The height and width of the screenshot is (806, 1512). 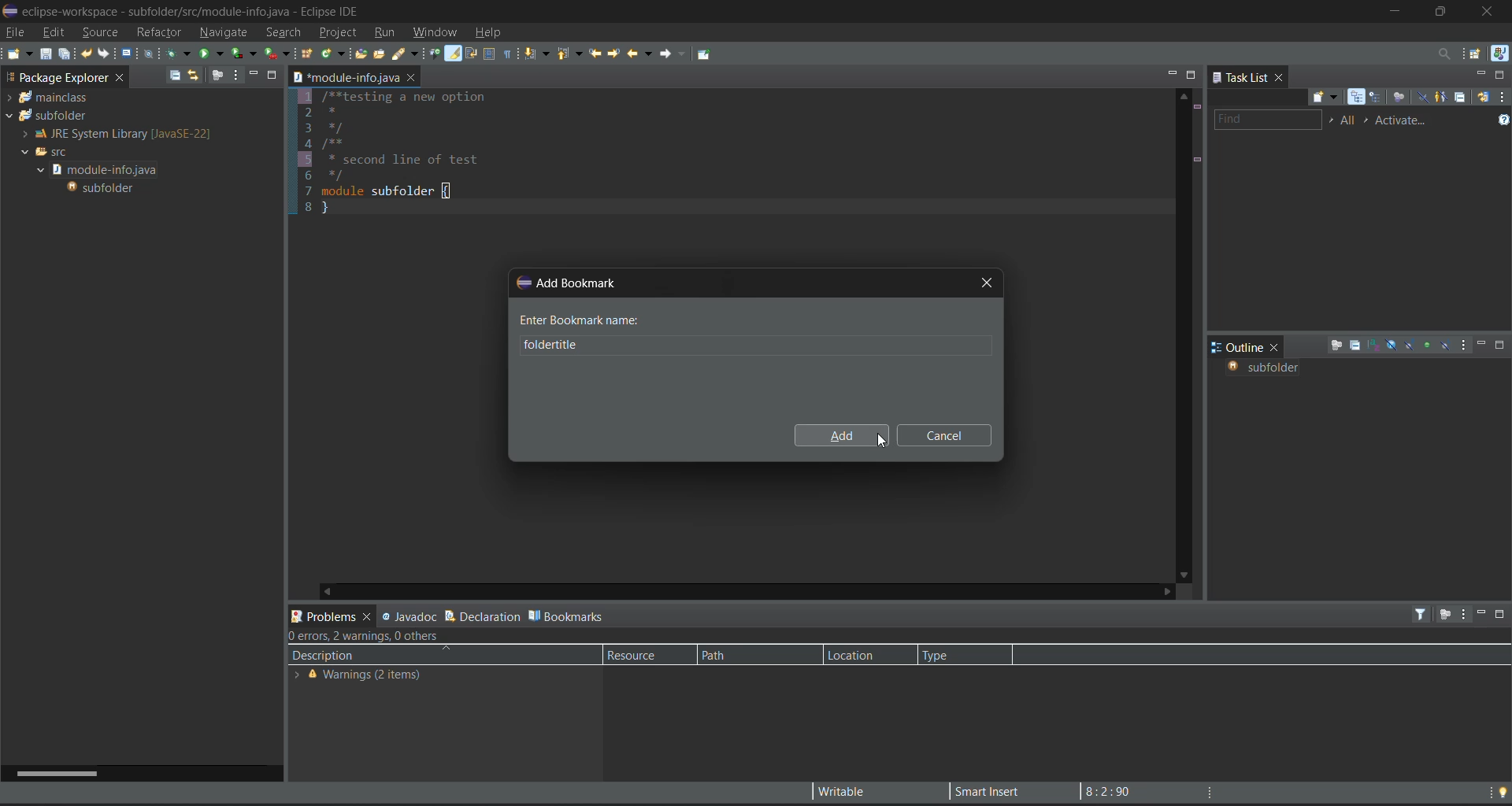 I want to click on categorized, so click(x=1359, y=98).